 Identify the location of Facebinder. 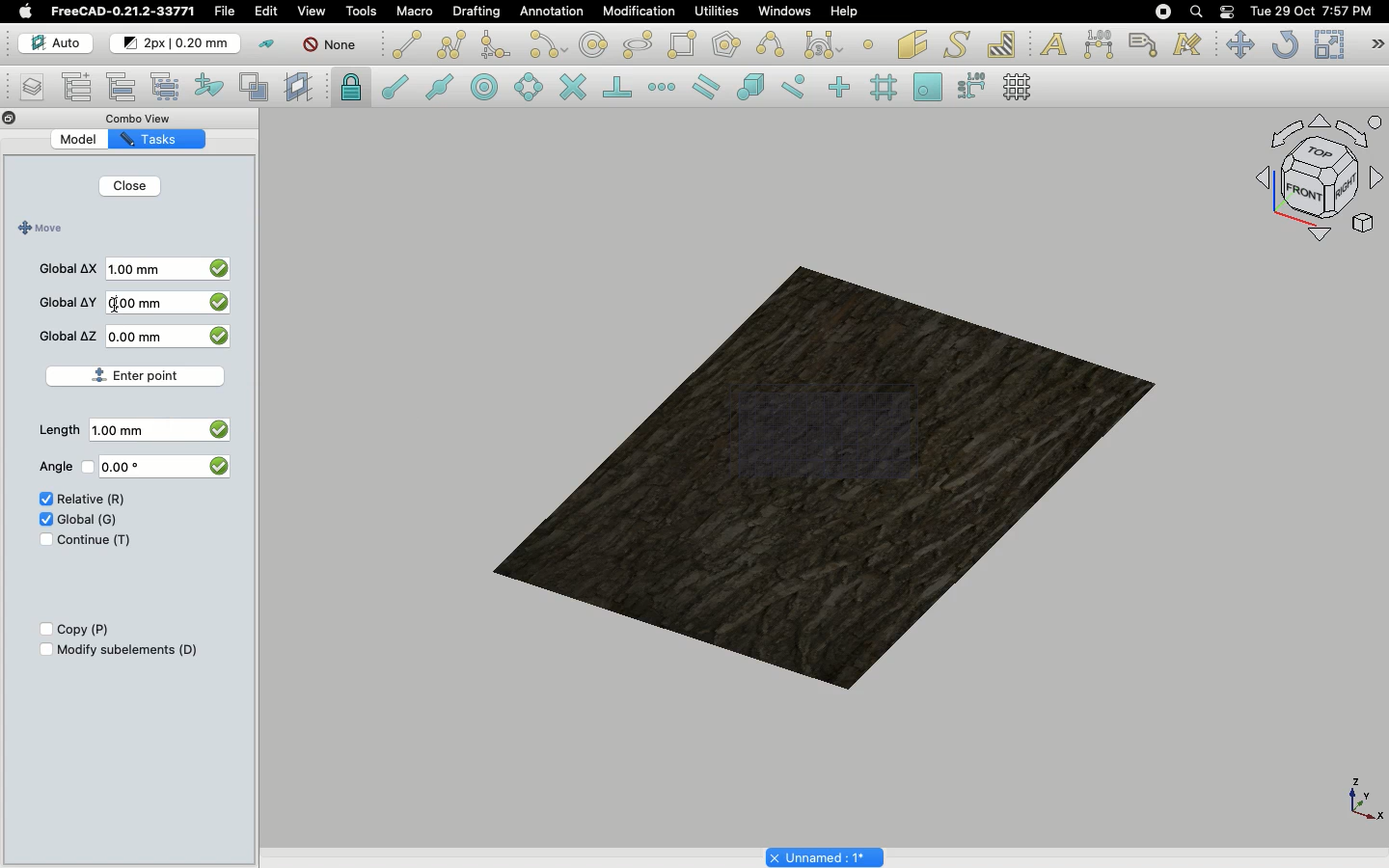
(912, 46).